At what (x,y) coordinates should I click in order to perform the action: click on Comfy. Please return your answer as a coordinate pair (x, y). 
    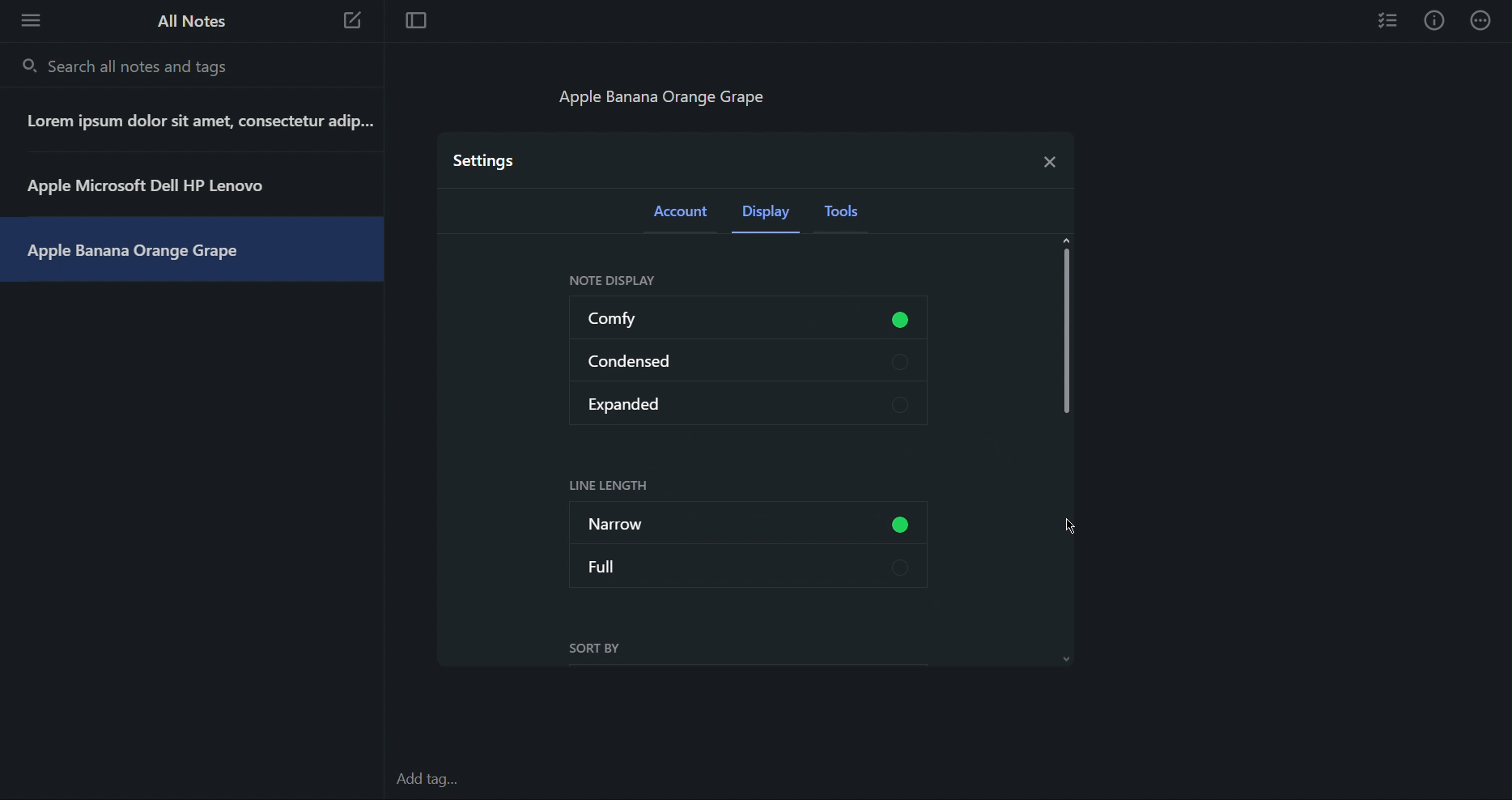
    Looking at the image, I should click on (677, 318).